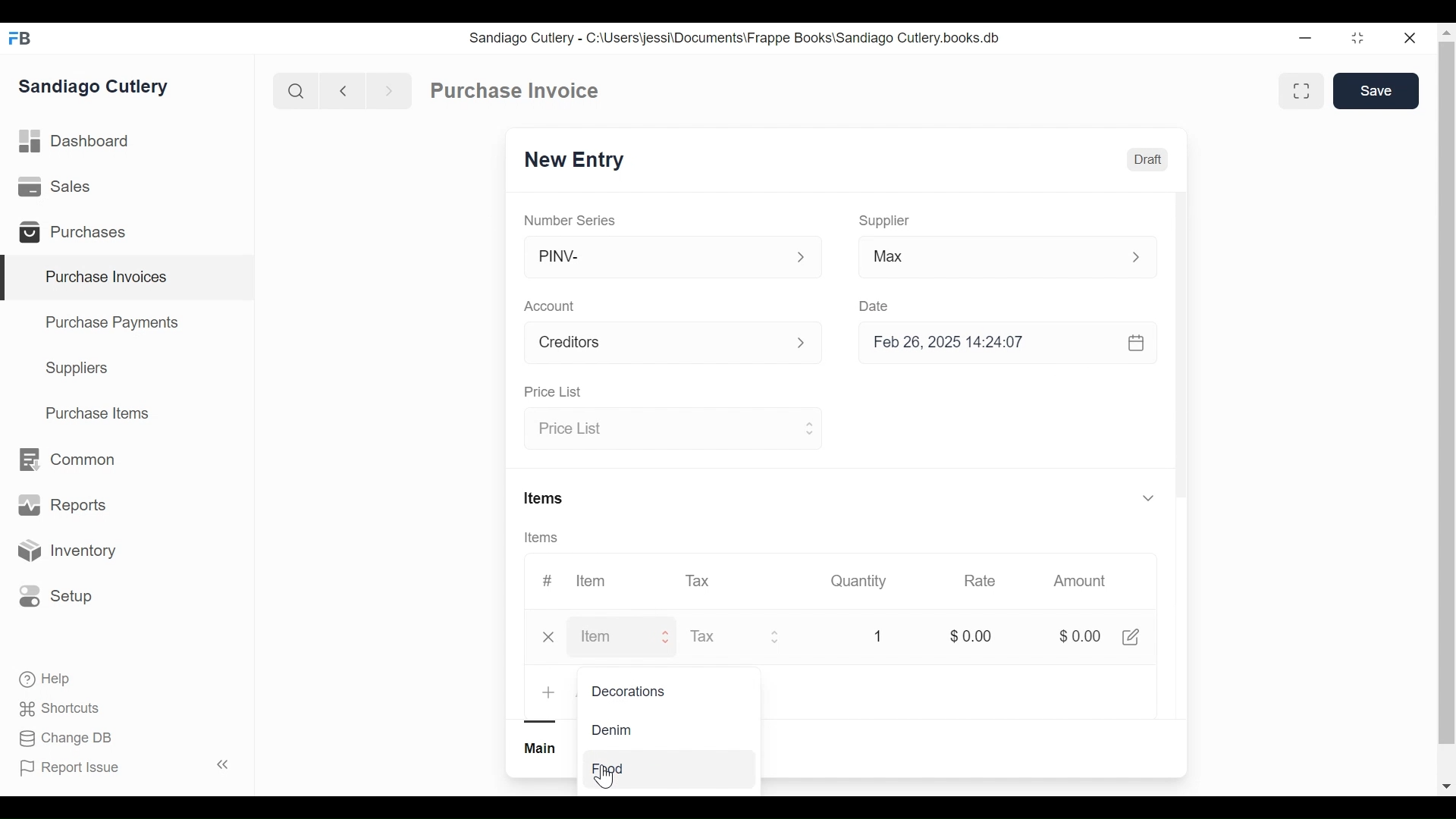  I want to click on Draft, so click(1153, 159).